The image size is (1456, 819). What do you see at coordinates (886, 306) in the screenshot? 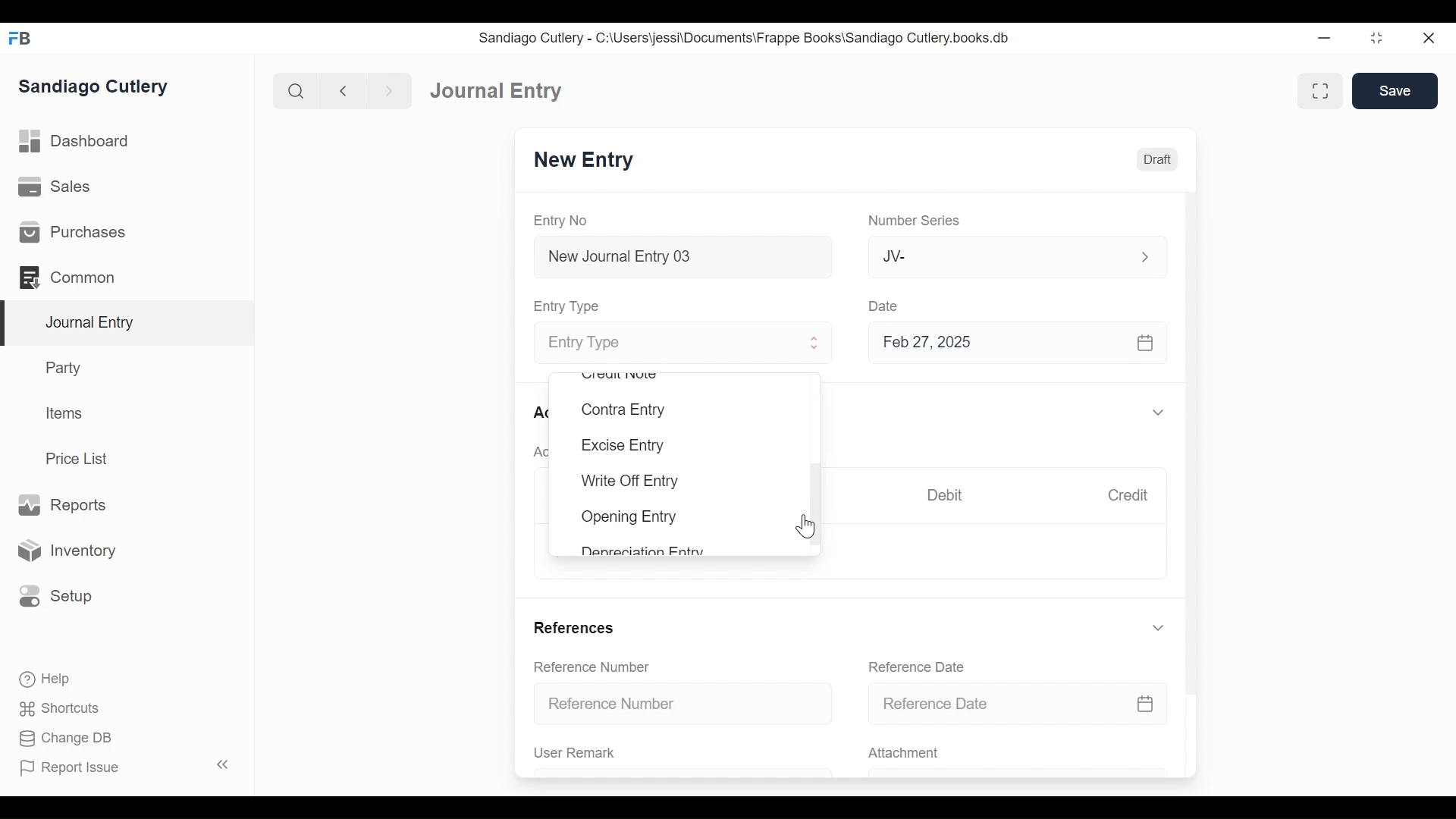
I see `Date` at bounding box center [886, 306].